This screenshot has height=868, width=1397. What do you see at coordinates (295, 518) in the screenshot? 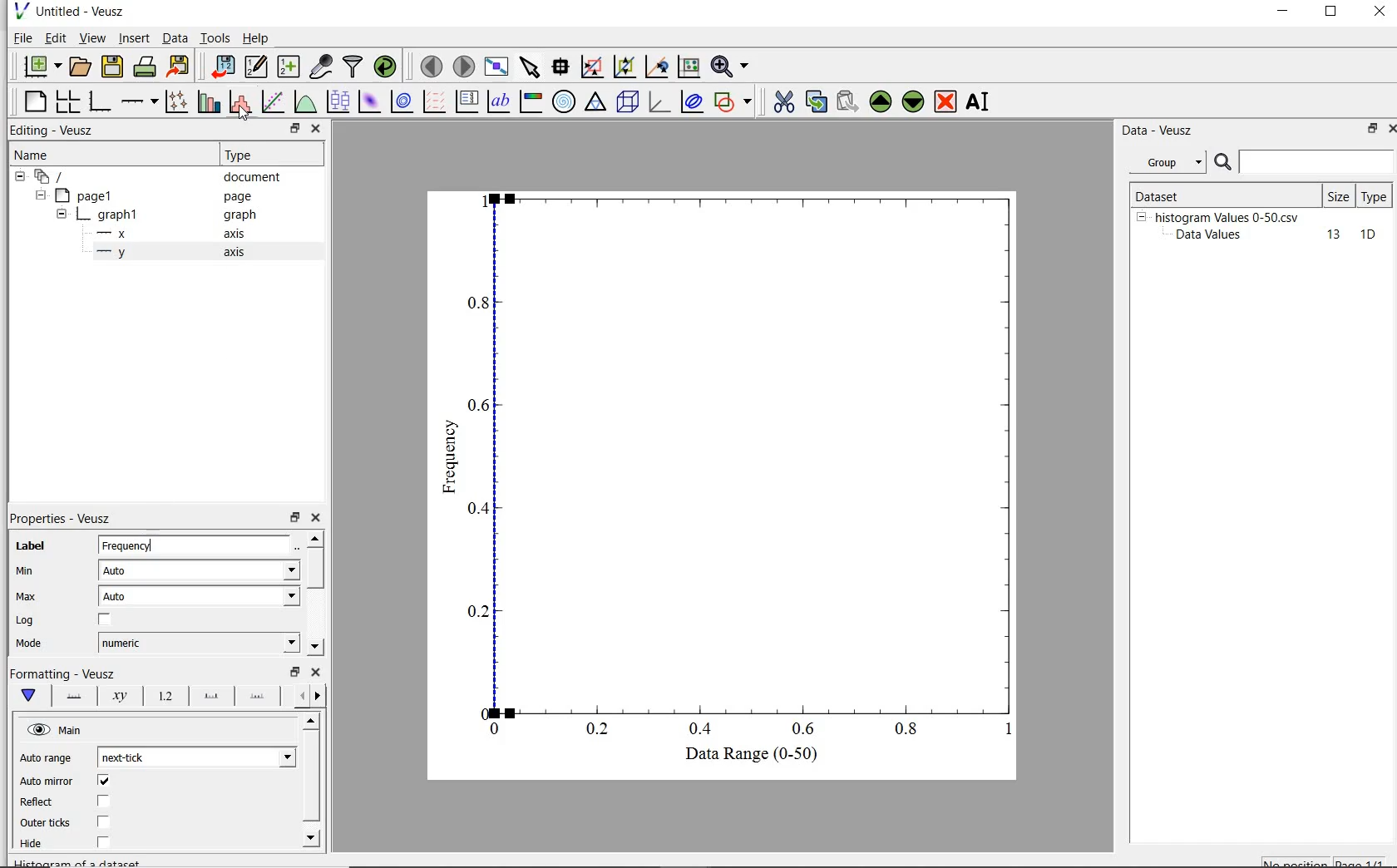
I see `restore down` at bounding box center [295, 518].